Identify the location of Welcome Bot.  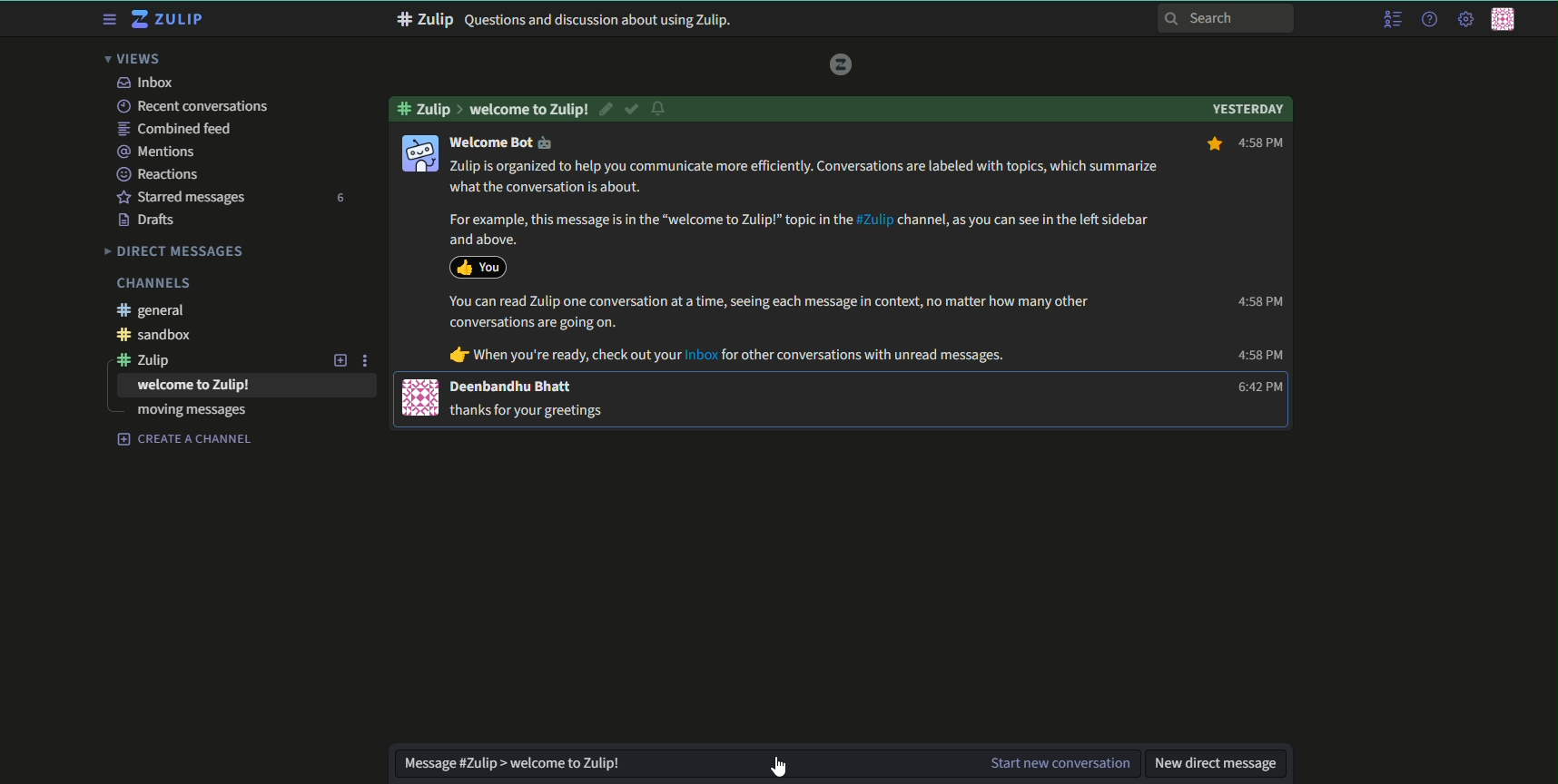
(501, 142).